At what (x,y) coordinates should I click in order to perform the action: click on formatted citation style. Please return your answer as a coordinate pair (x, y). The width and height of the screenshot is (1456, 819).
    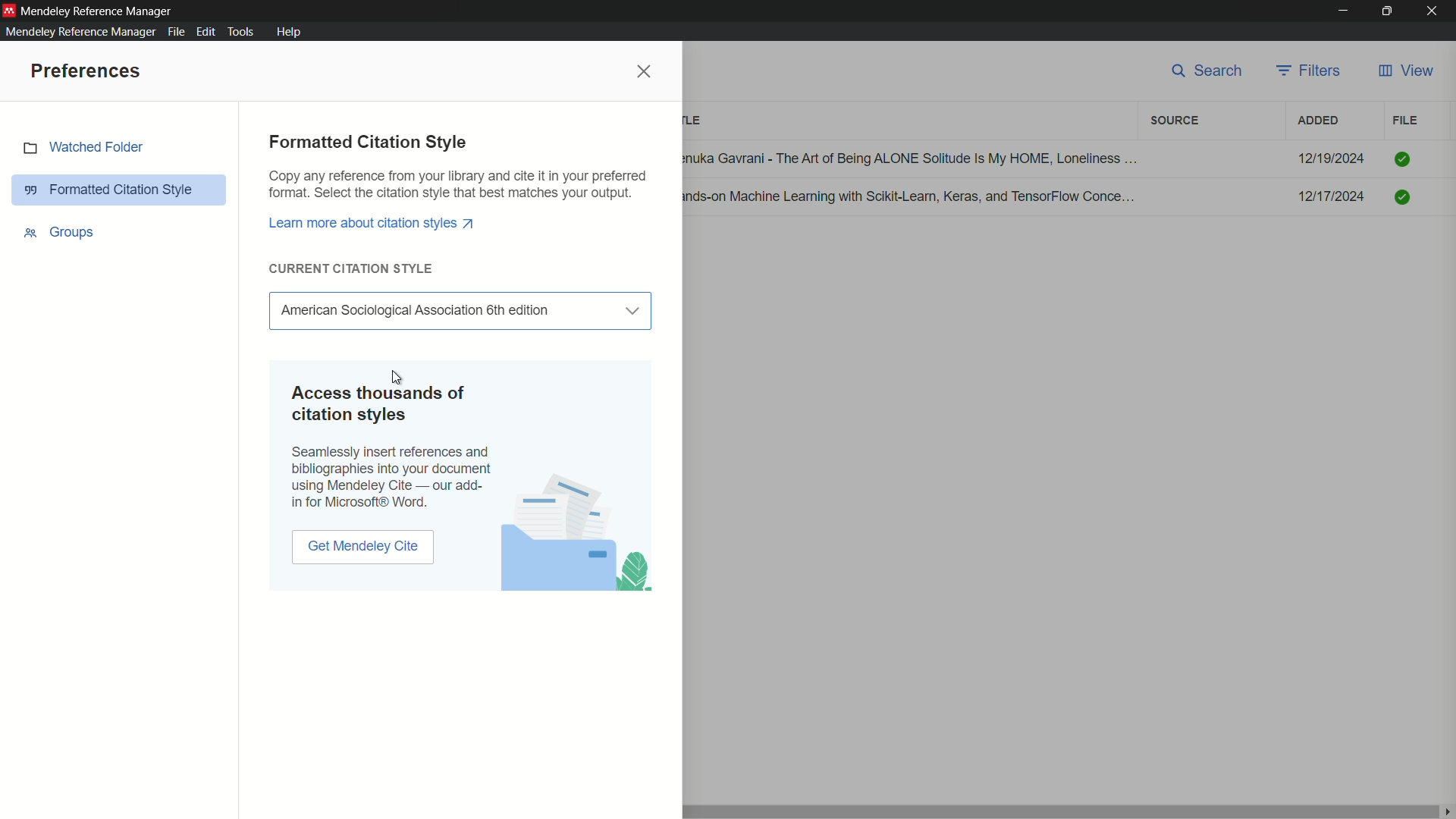
    Looking at the image, I should click on (109, 190).